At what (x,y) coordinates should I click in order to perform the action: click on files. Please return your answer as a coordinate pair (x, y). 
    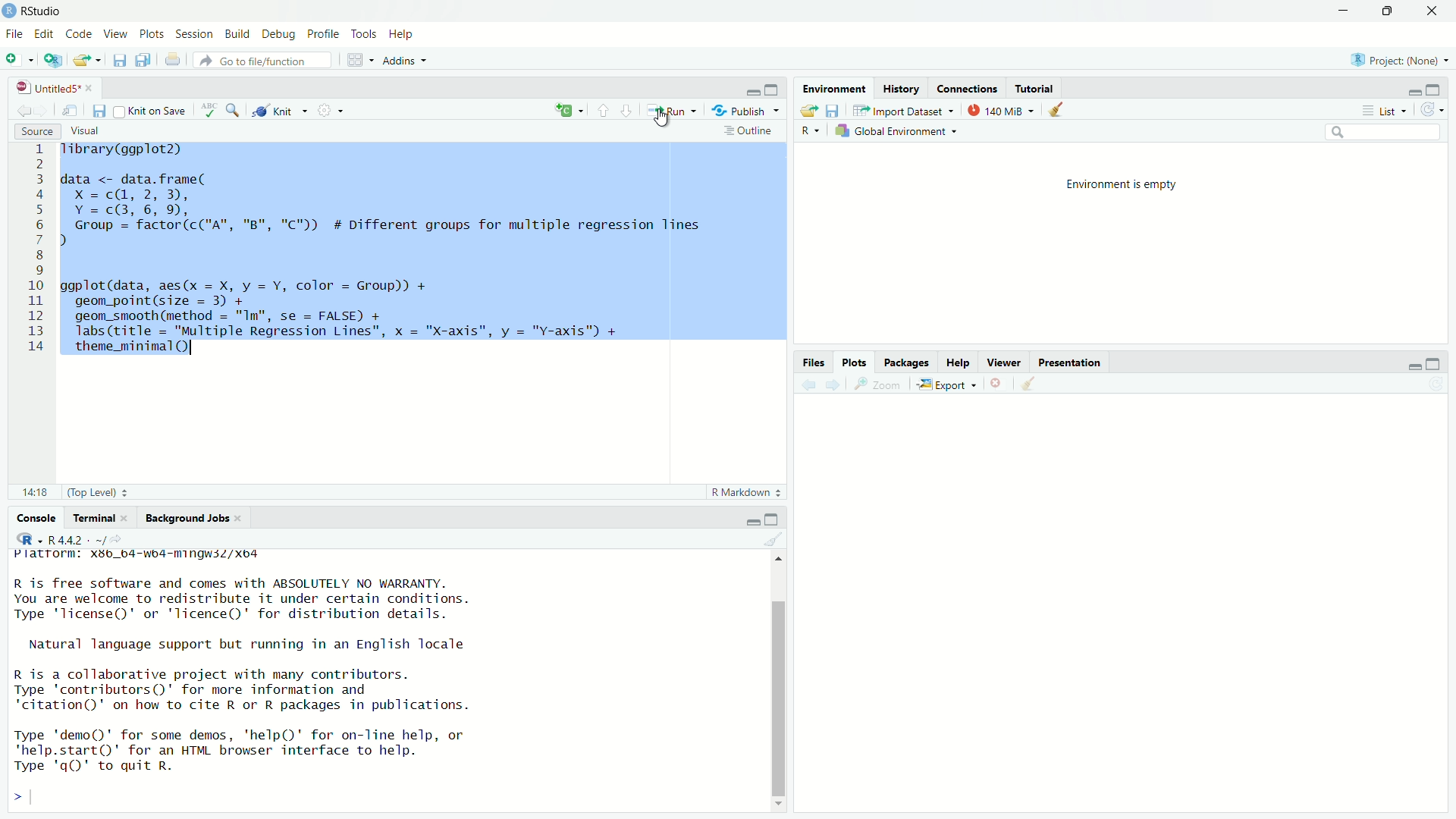
    Looking at the image, I should click on (100, 111).